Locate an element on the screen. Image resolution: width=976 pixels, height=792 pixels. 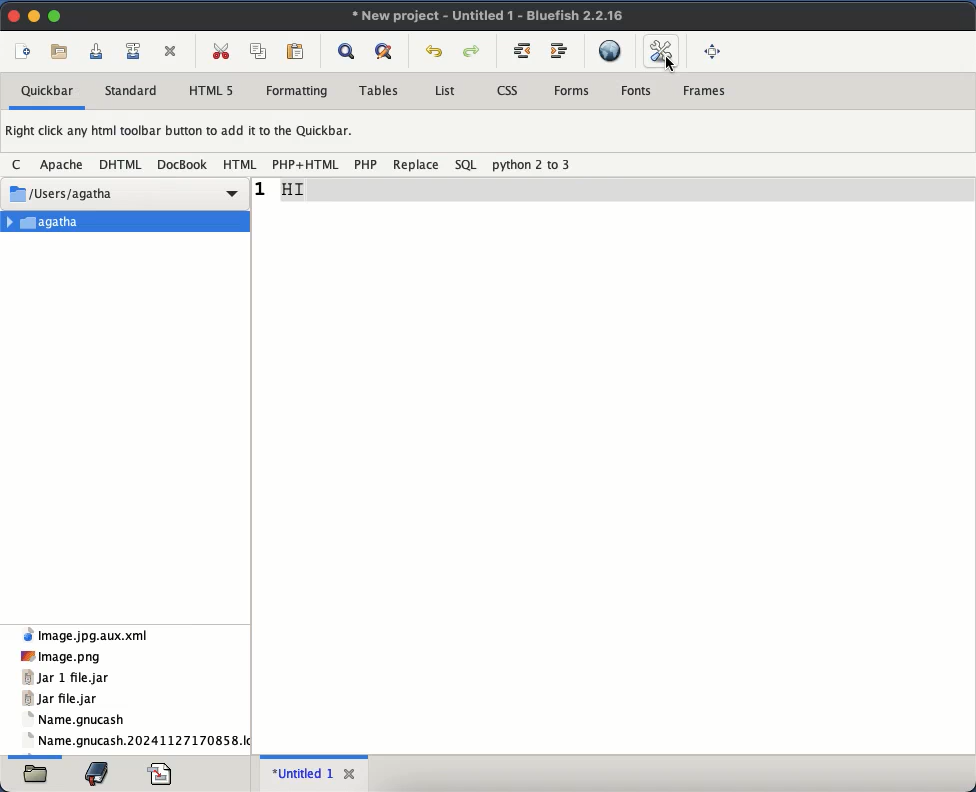
name.gnucash is located at coordinates (78, 718).